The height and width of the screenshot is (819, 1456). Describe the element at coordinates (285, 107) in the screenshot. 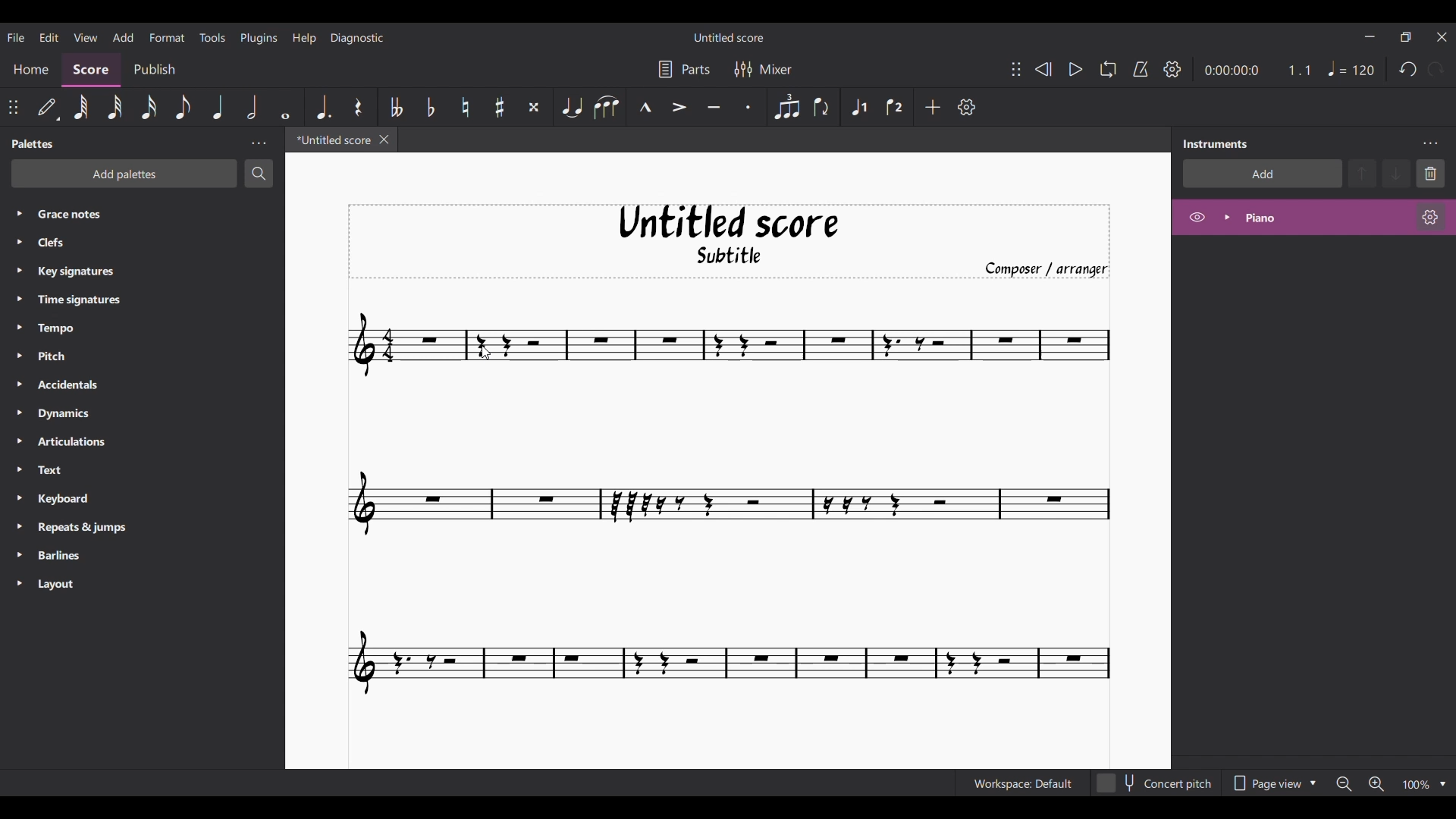

I see `Whole note` at that location.